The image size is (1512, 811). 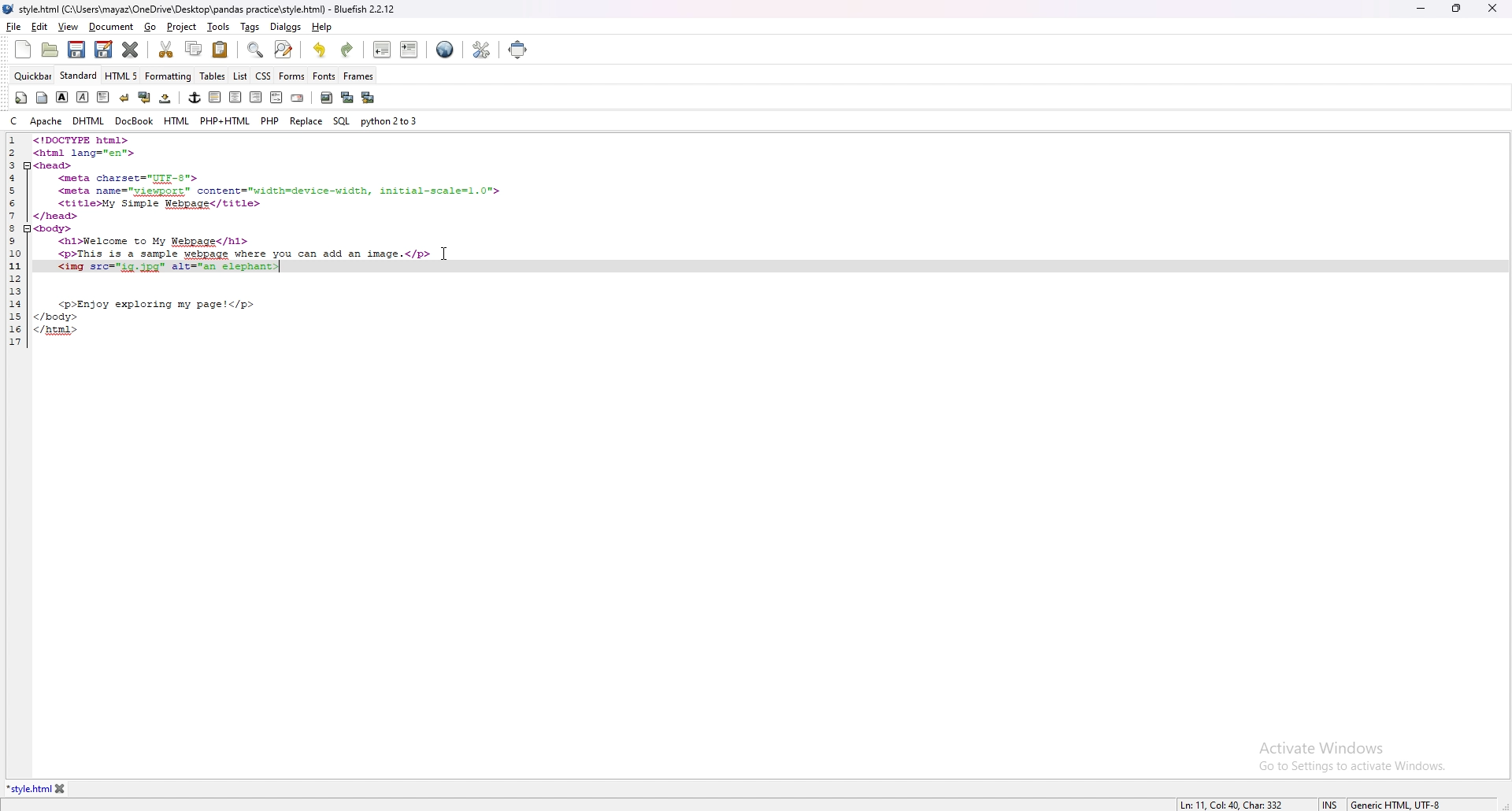 What do you see at coordinates (111, 28) in the screenshot?
I see `document` at bounding box center [111, 28].